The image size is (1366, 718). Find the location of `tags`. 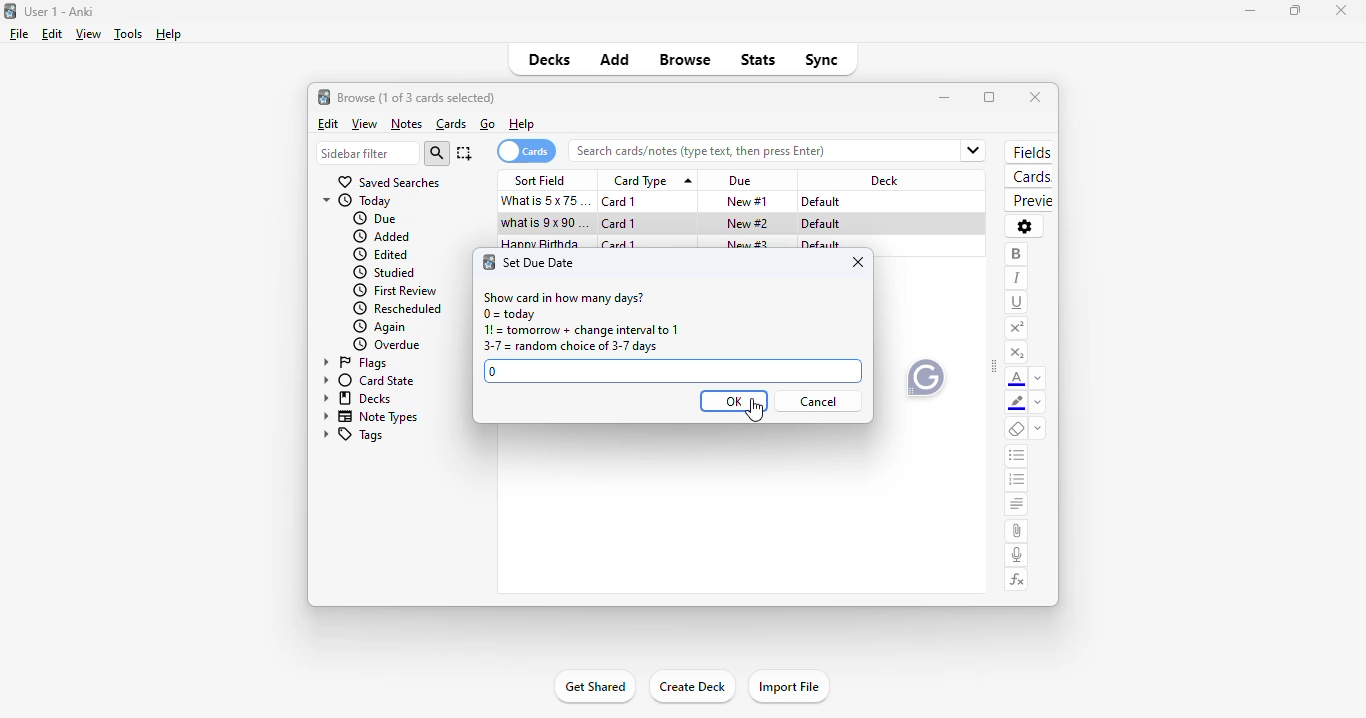

tags is located at coordinates (352, 435).